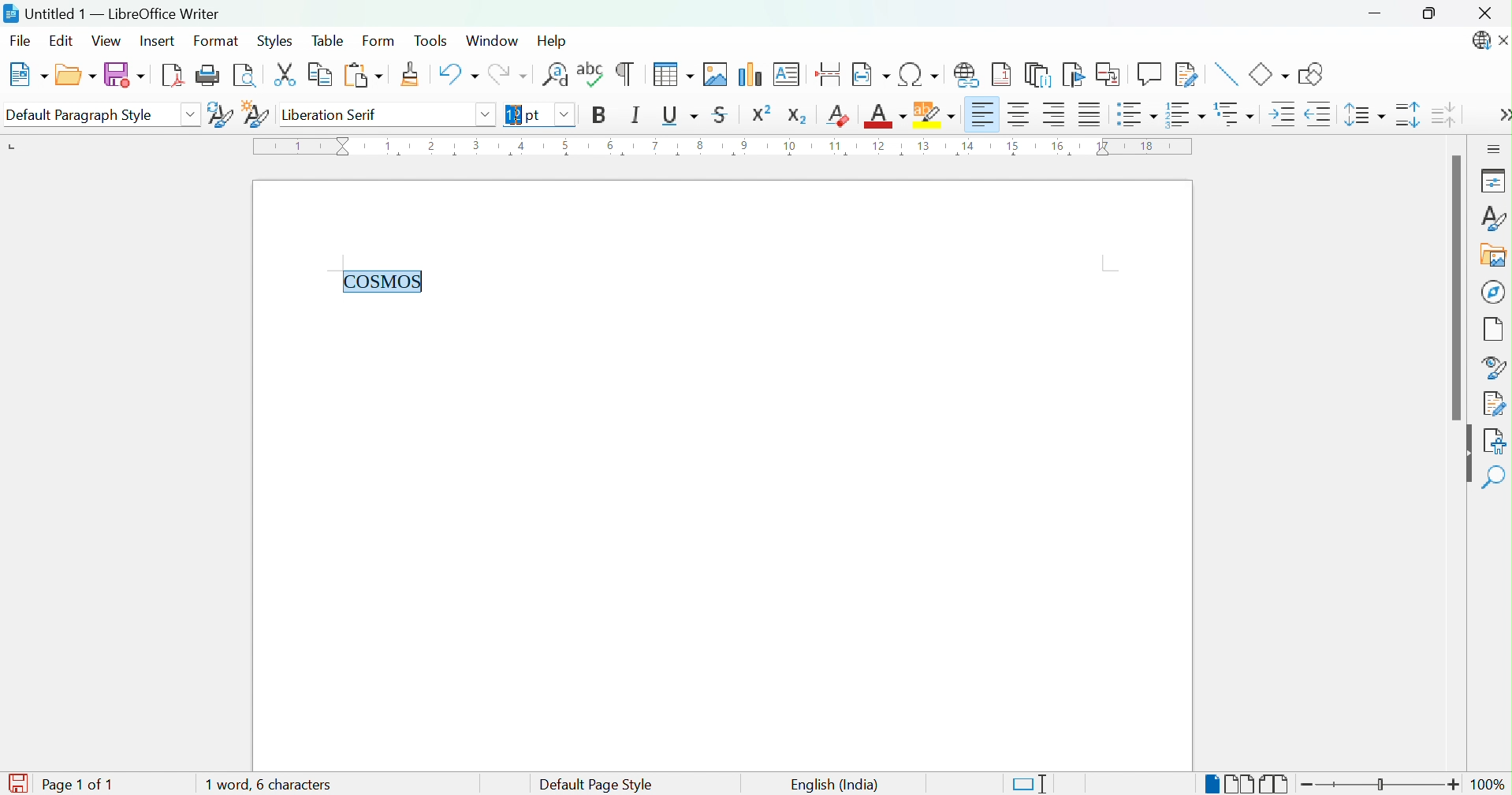 The width and height of the screenshot is (1512, 795). I want to click on Cut, so click(285, 75).